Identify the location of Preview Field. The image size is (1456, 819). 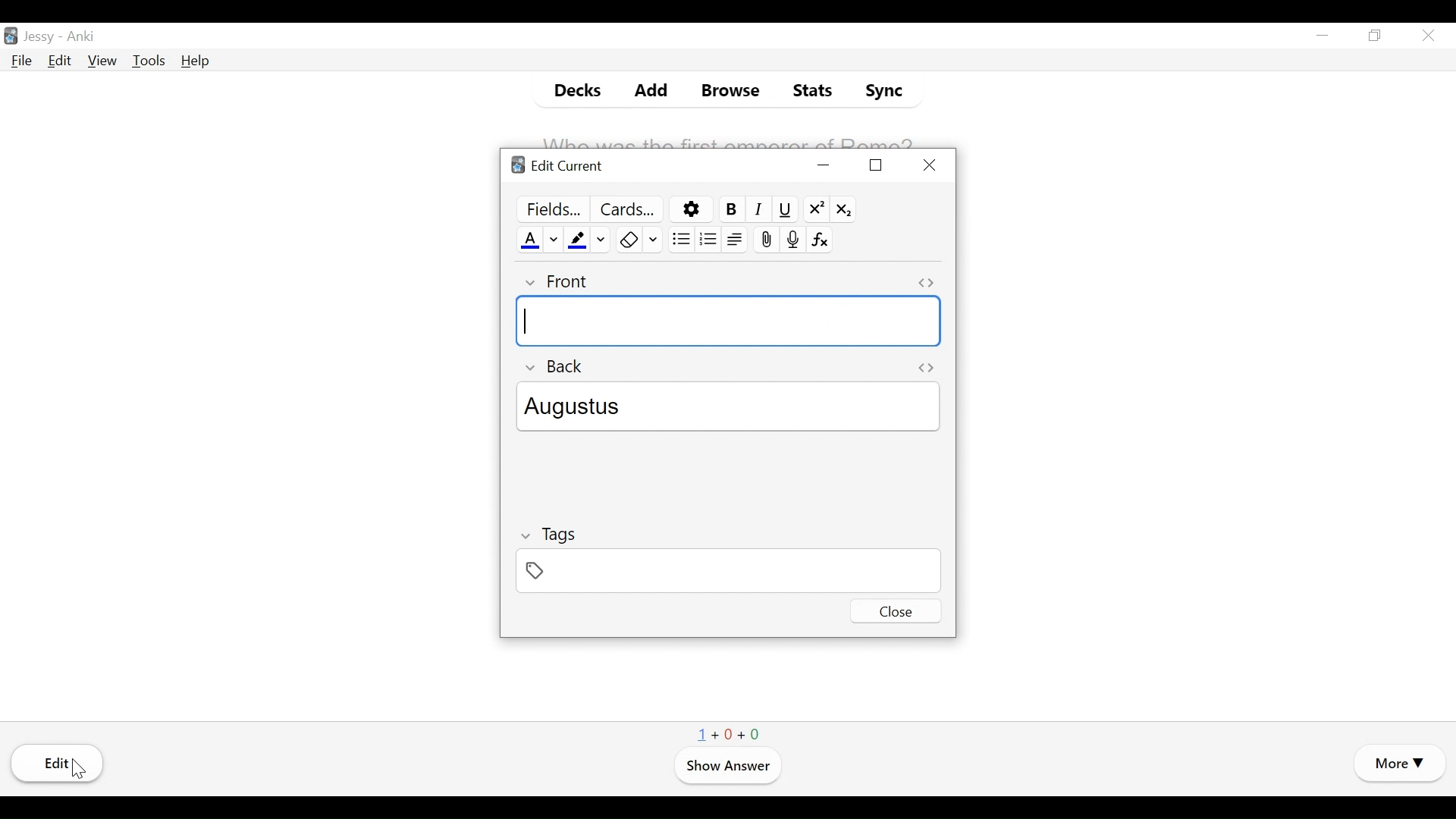
(549, 208).